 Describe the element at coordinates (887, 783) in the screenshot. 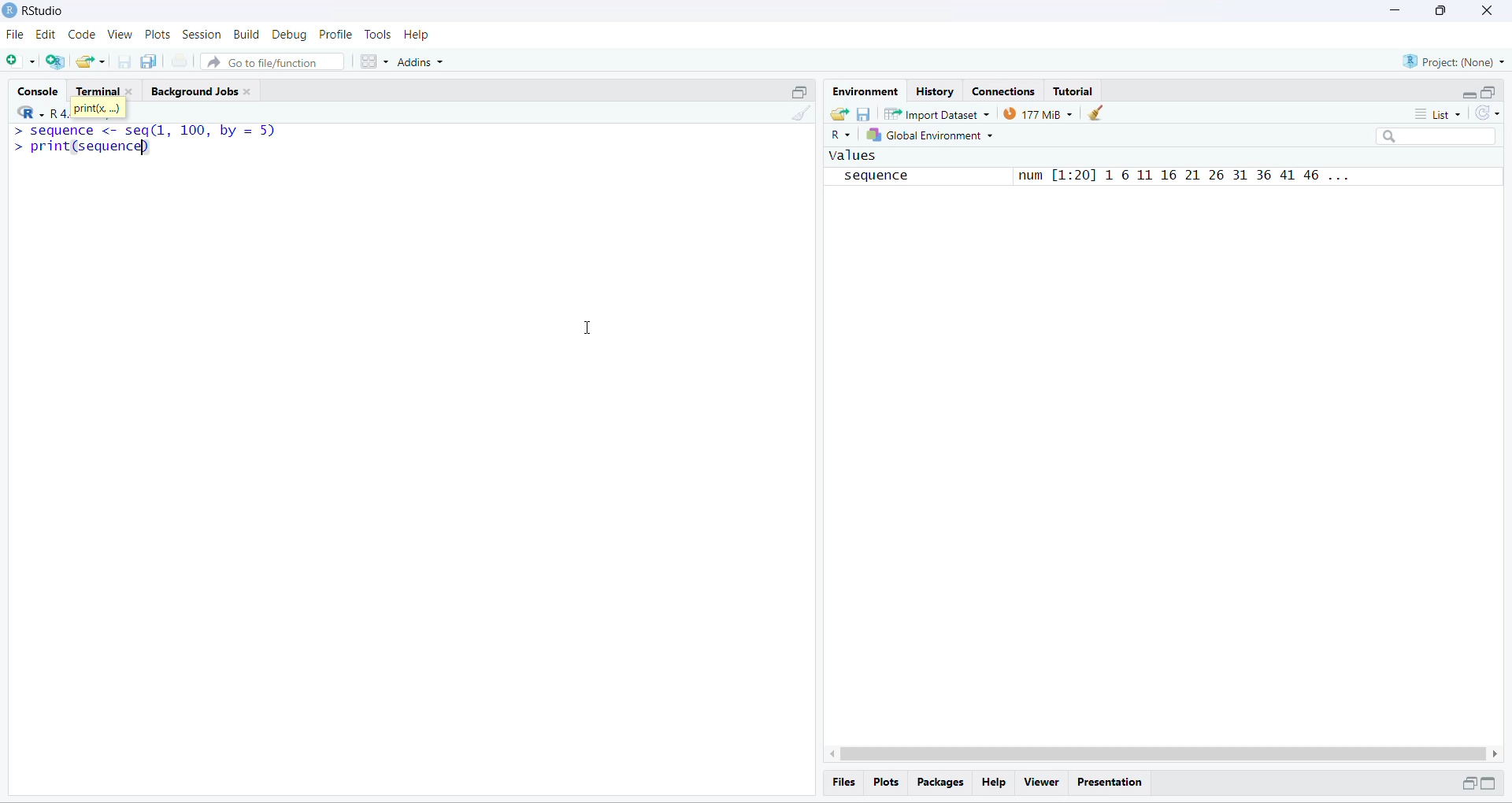

I see `plots` at that location.